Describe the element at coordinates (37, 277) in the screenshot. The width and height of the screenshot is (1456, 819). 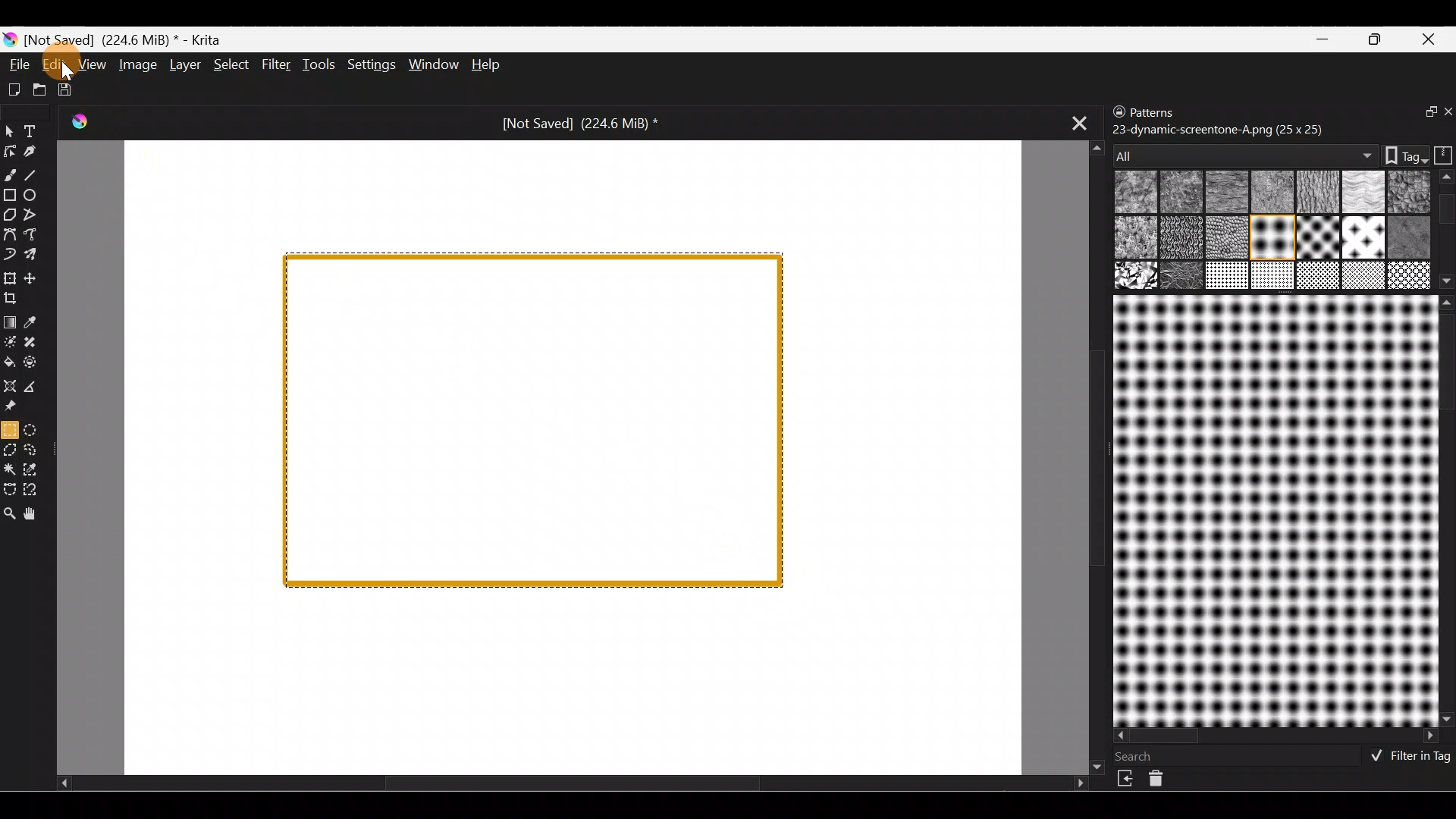
I see `Move a layer` at that location.